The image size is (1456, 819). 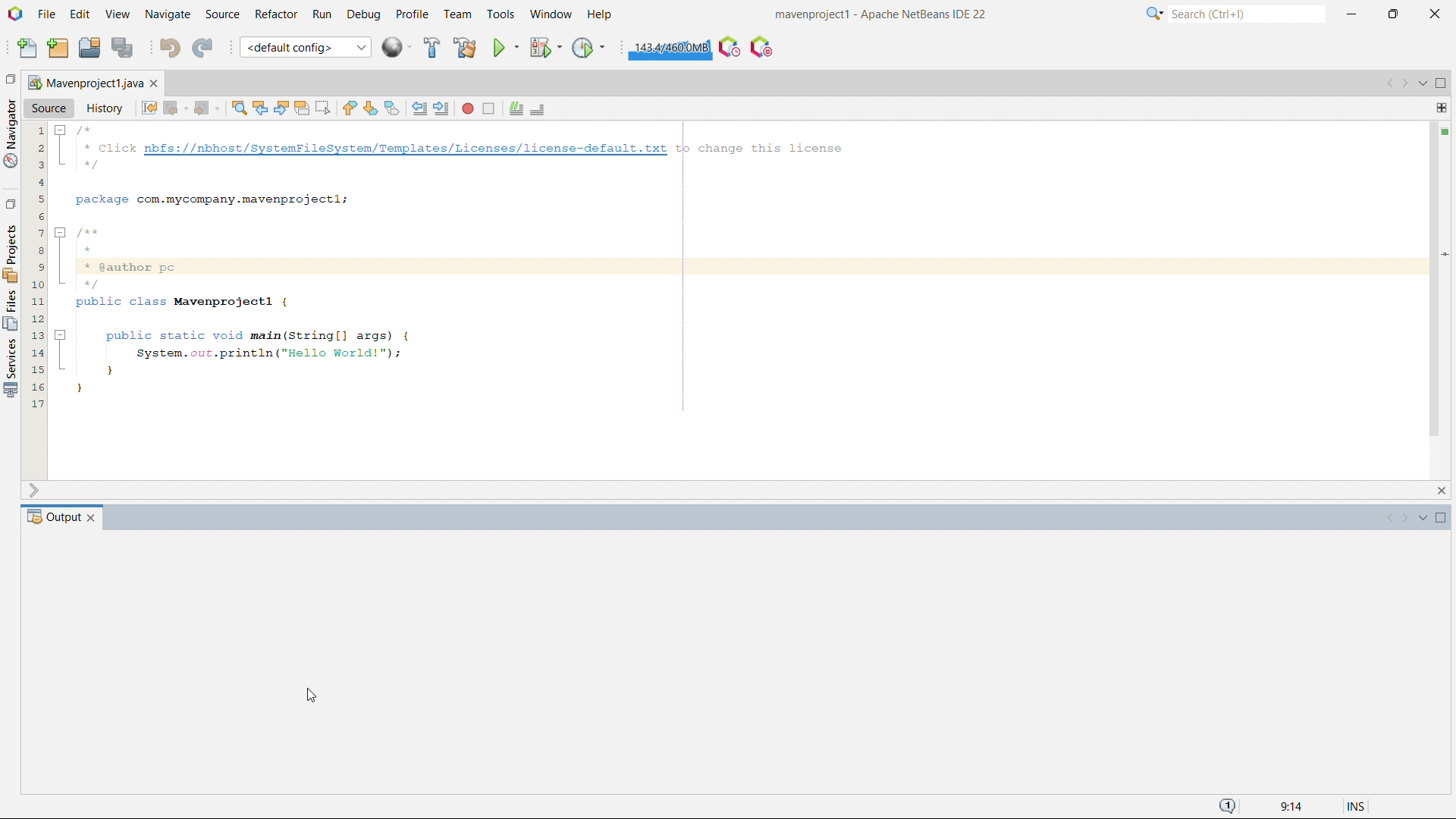 What do you see at coordinates (1442, 465) in the screenshot?
I see `line mark` at bounding box center [1442, 465].